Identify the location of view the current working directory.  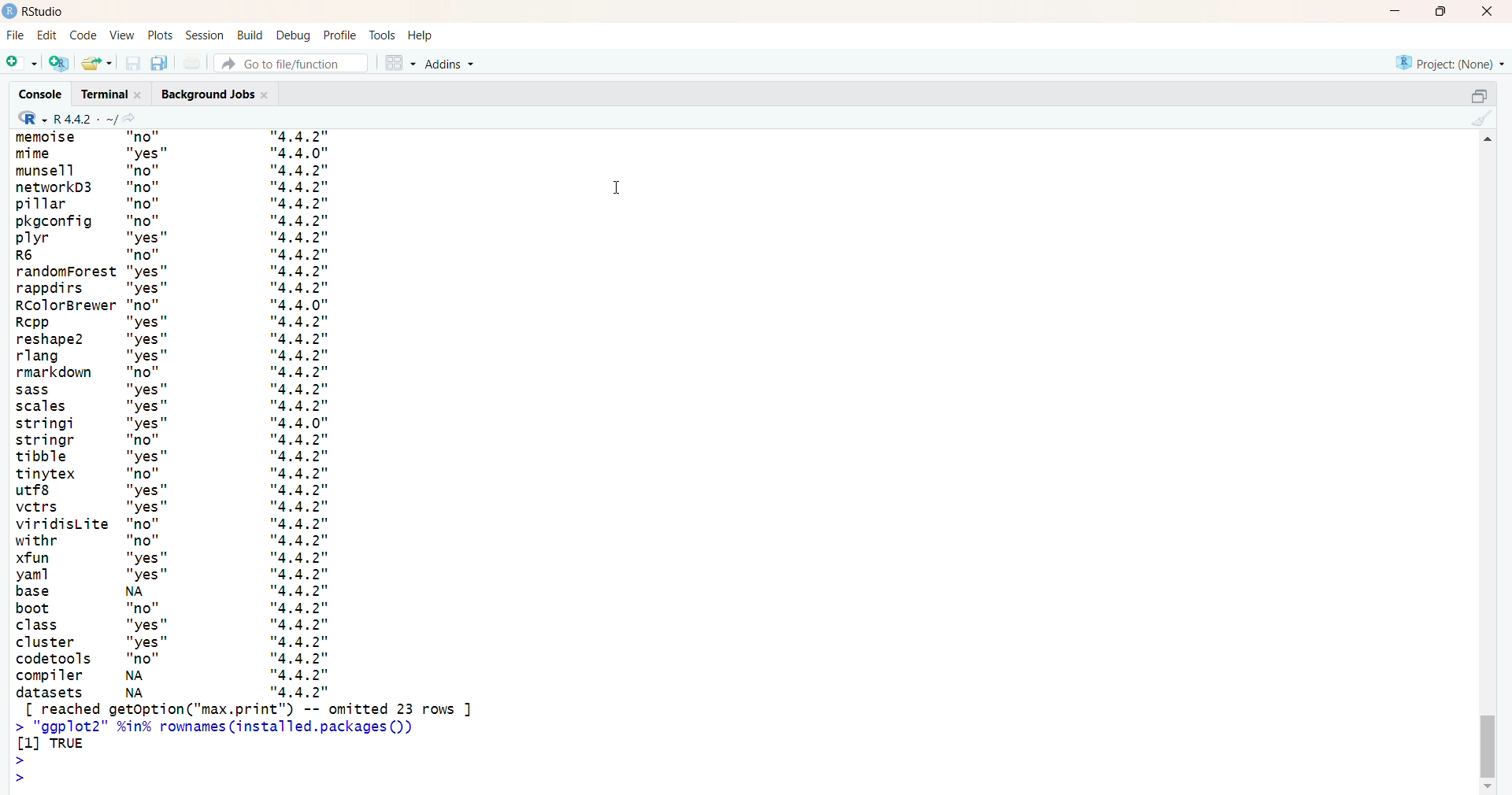
(130, 120).